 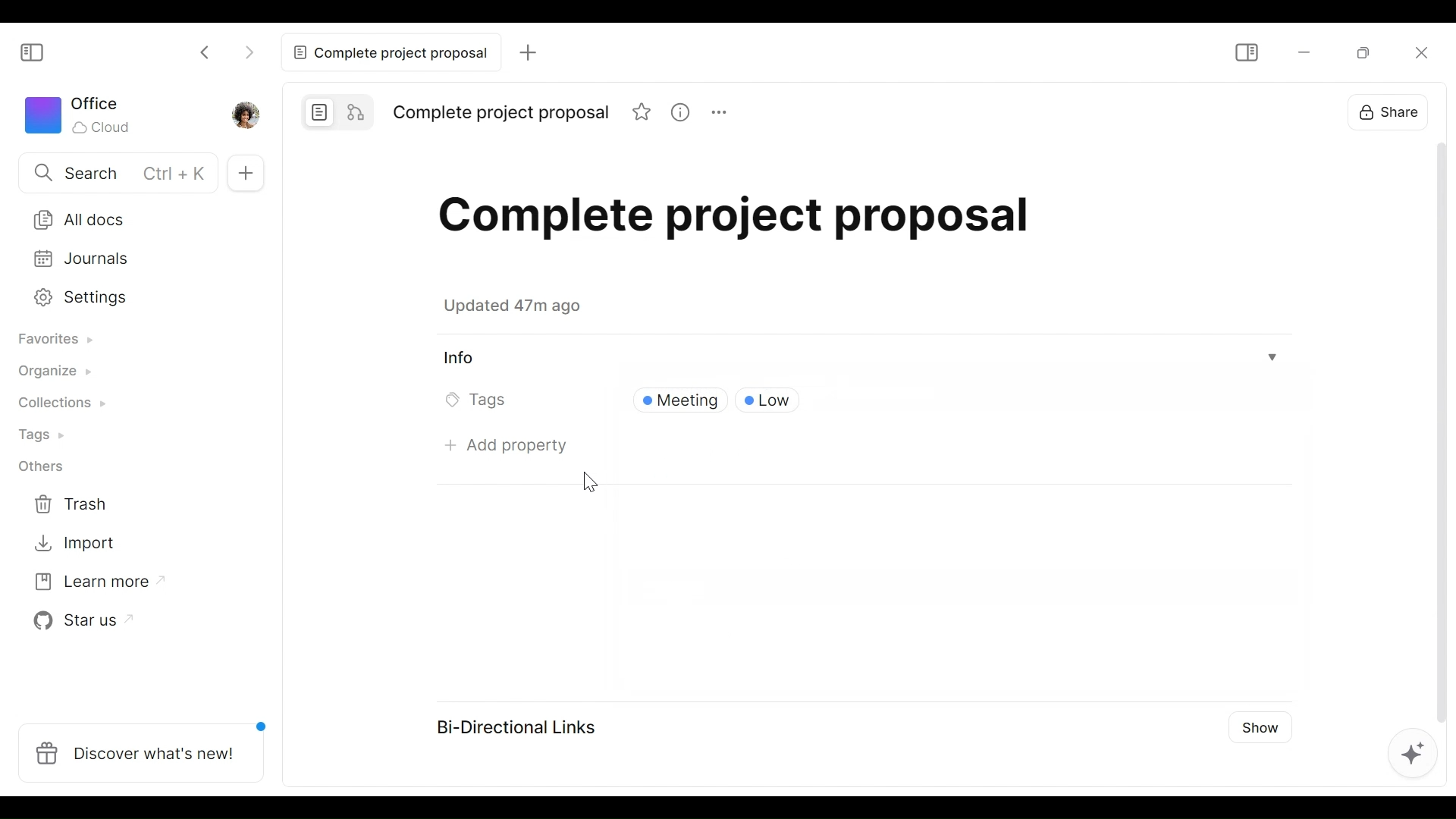 I want to click on Show, so click(x=1259, y=732).